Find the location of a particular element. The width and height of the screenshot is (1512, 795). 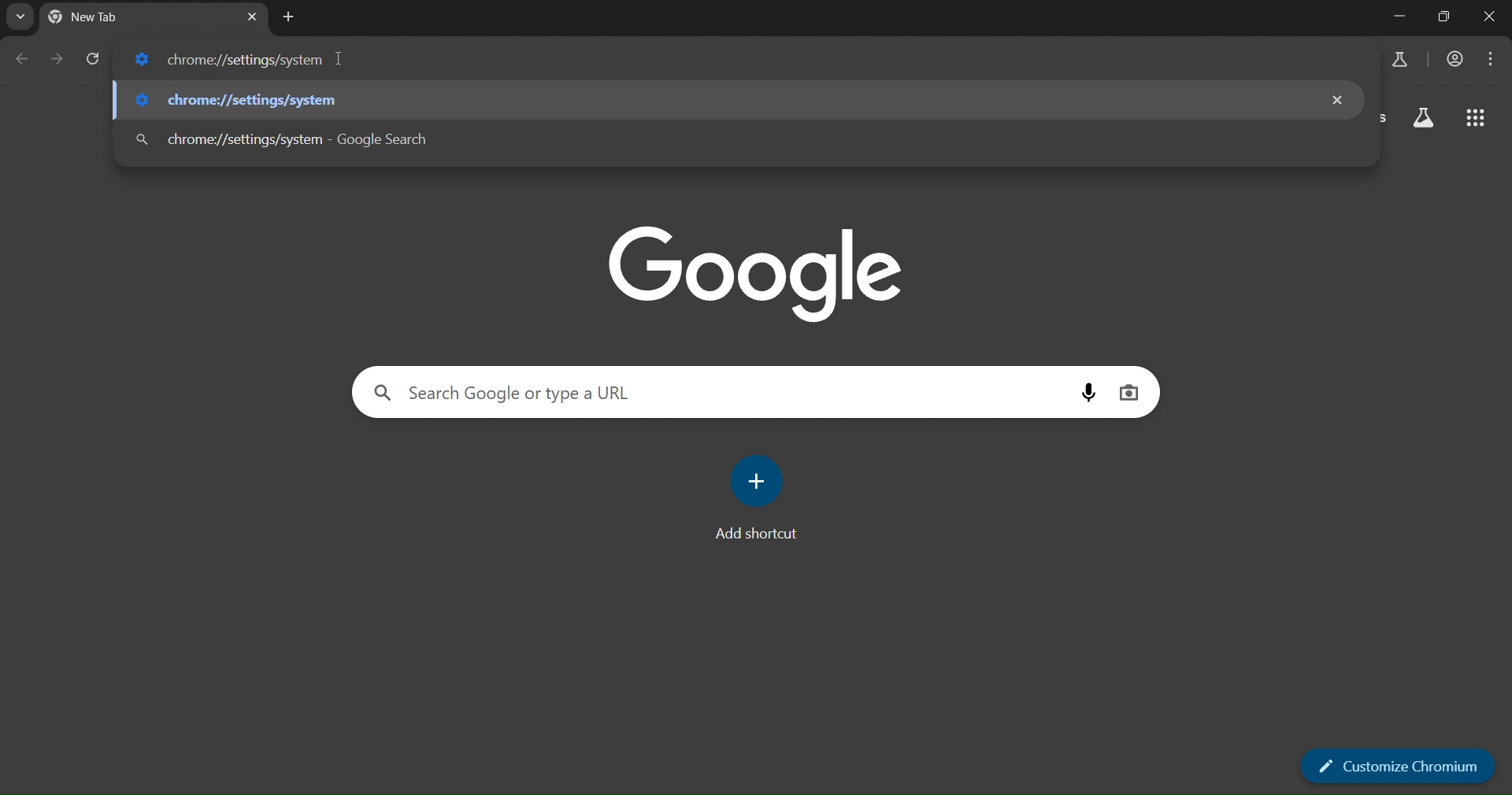

voice search is located at coordinates (1091, 393).